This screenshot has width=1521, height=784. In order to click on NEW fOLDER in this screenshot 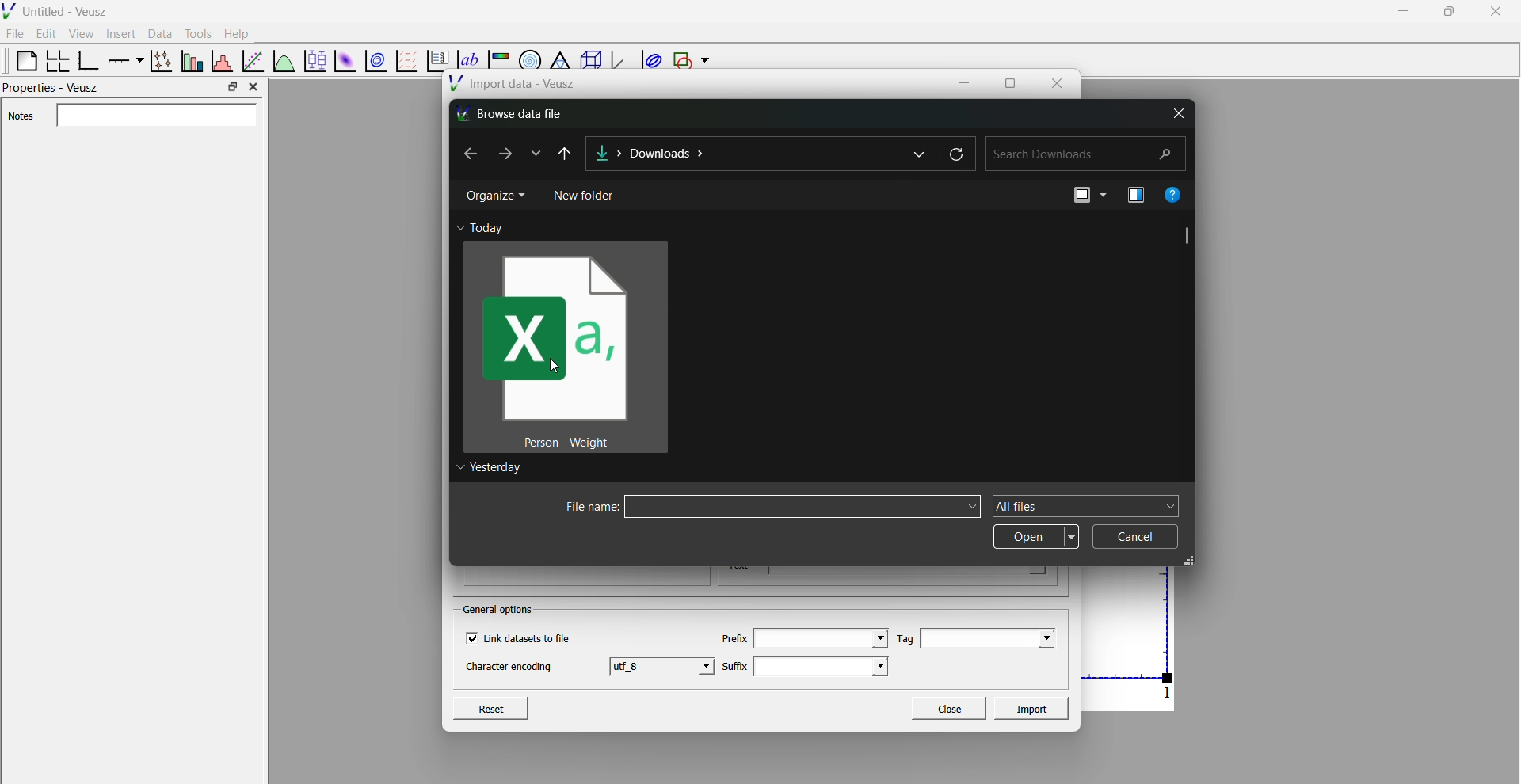, I will do `click(589, 196)`.